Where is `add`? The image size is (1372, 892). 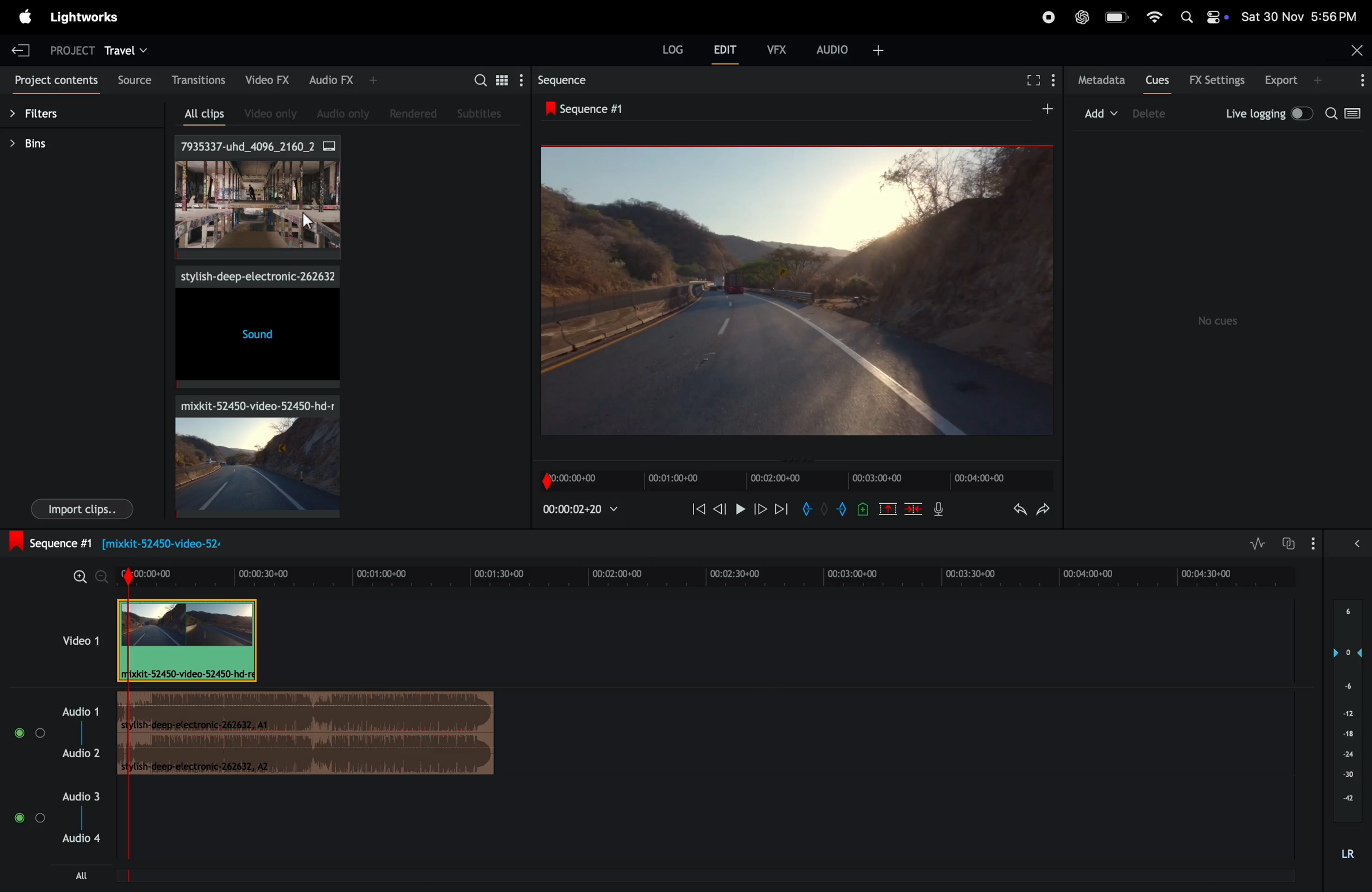
add is located at coordinates (1039, 110).